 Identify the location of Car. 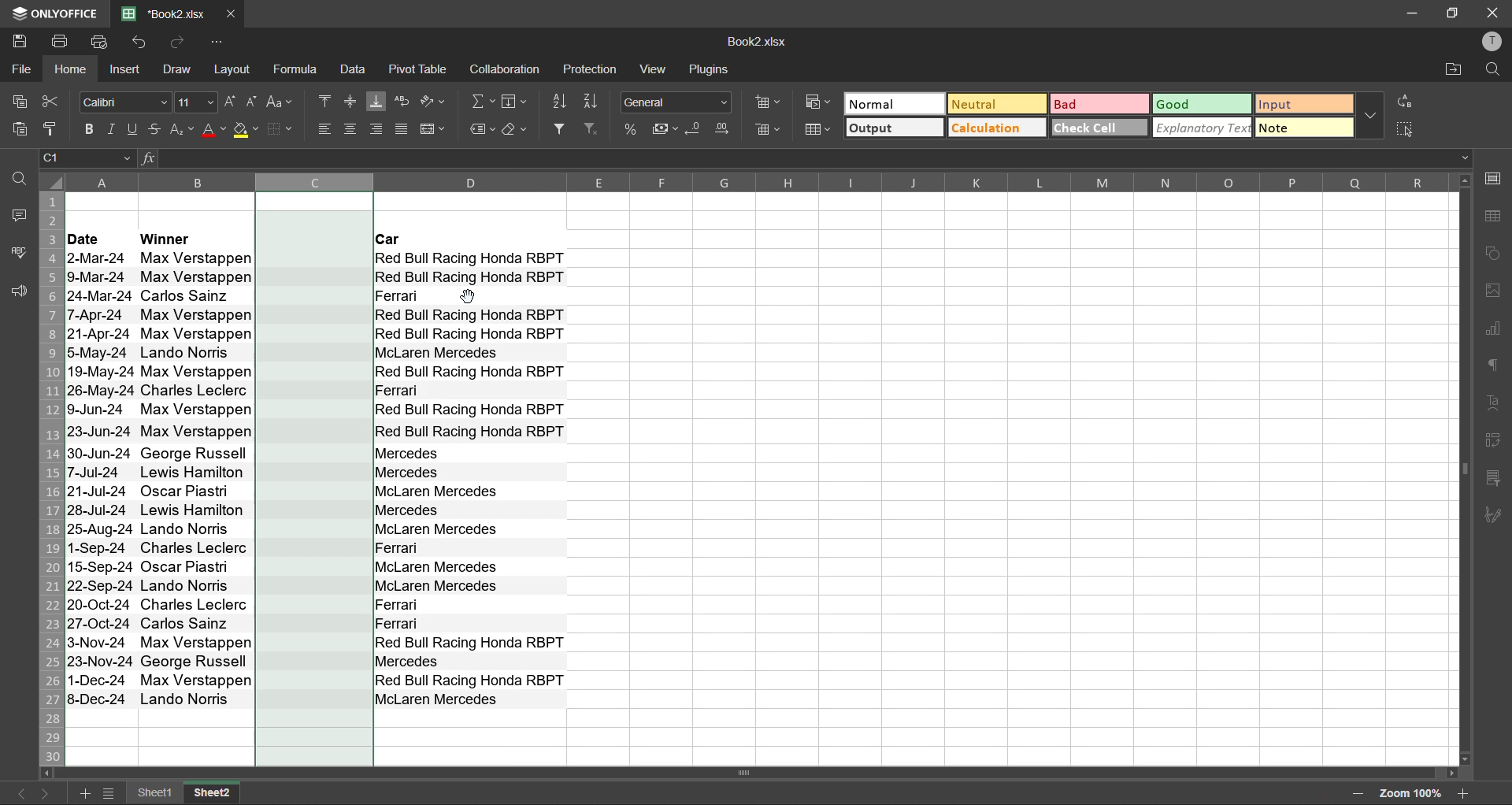
(471, 241).